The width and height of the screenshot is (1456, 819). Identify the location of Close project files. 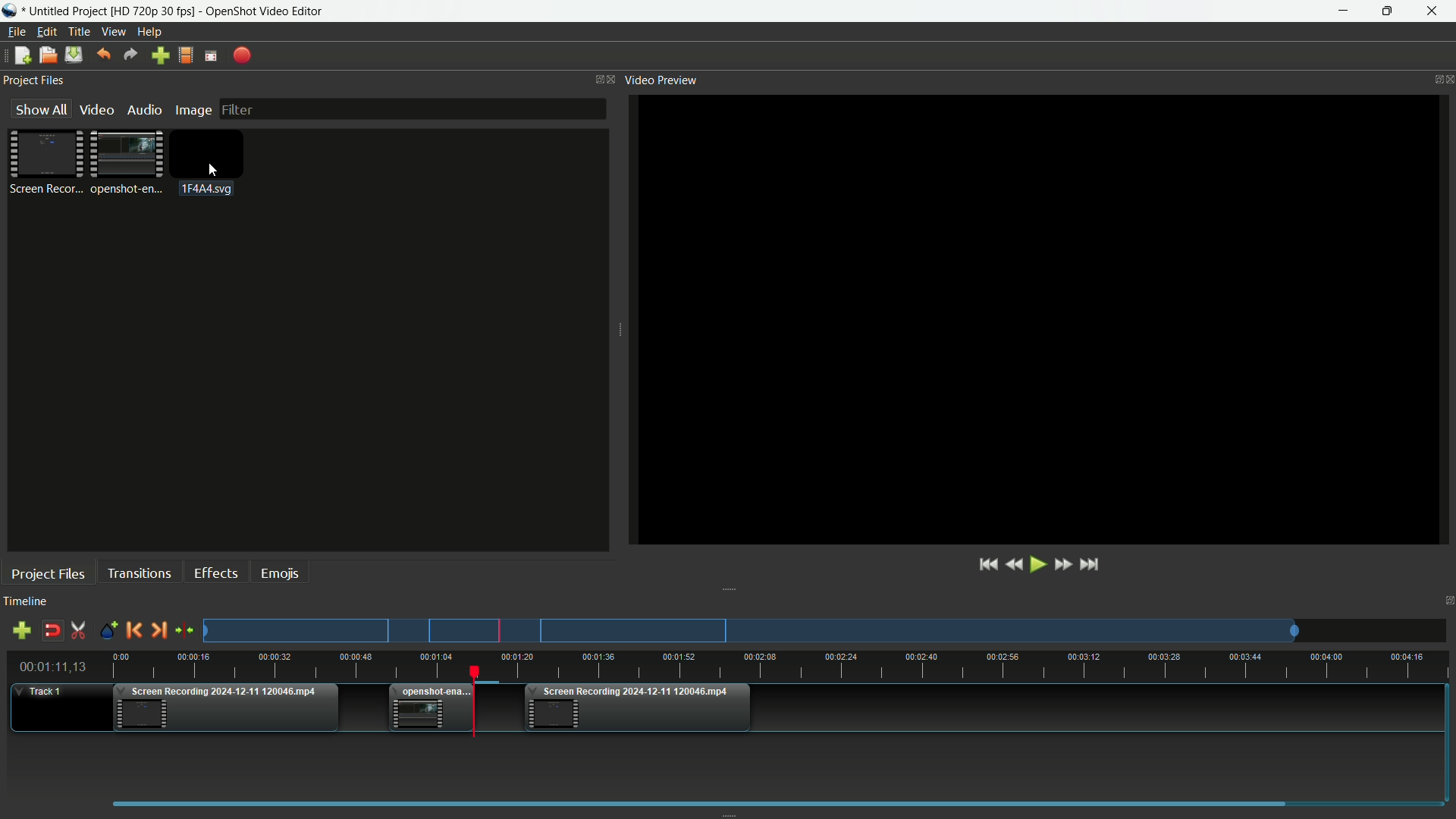
(613, 79).